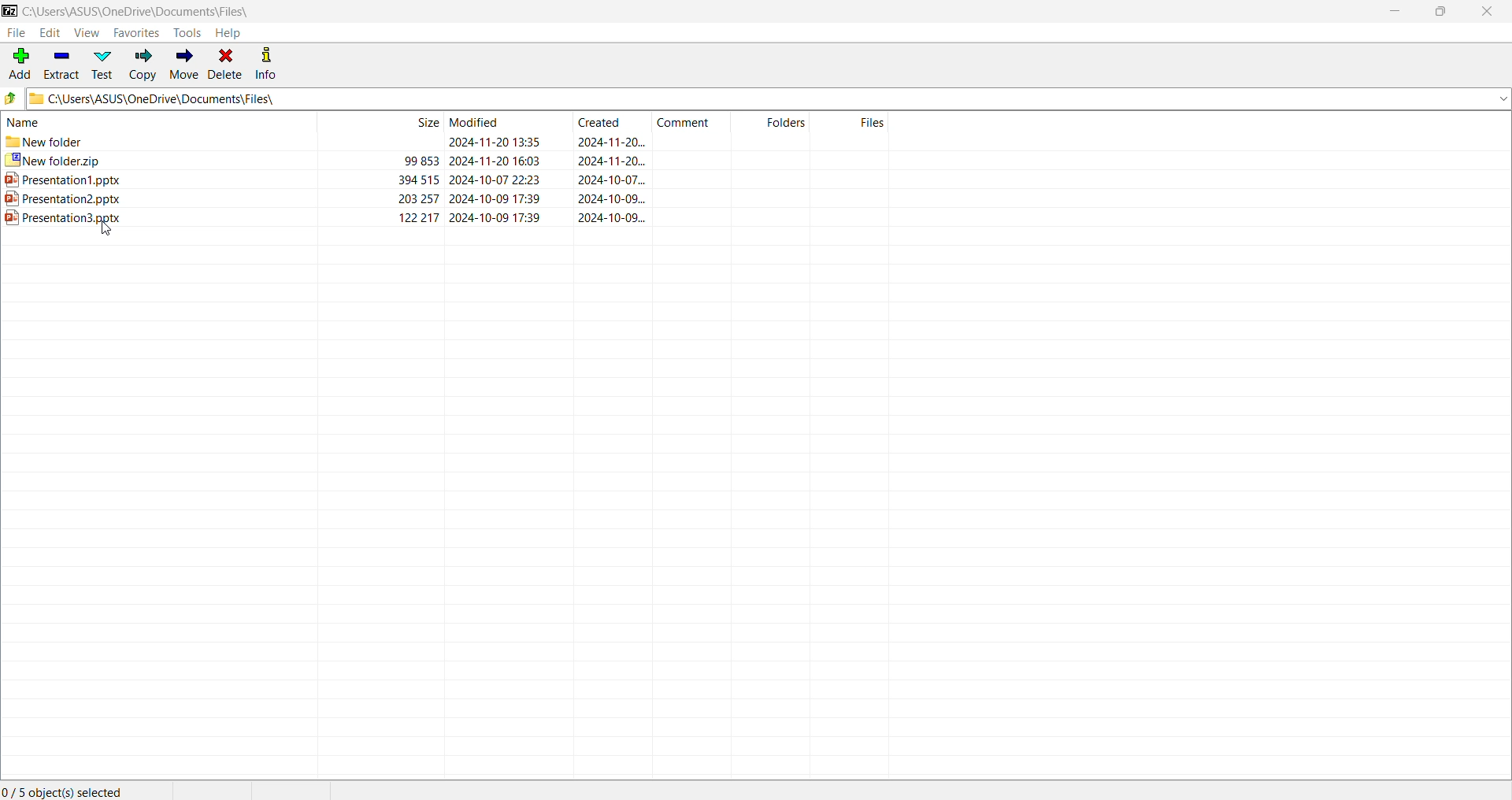  What do you see at coordinates (776, 121) in the screenshot?
I see `Folders` at bounding box center [776, 121].